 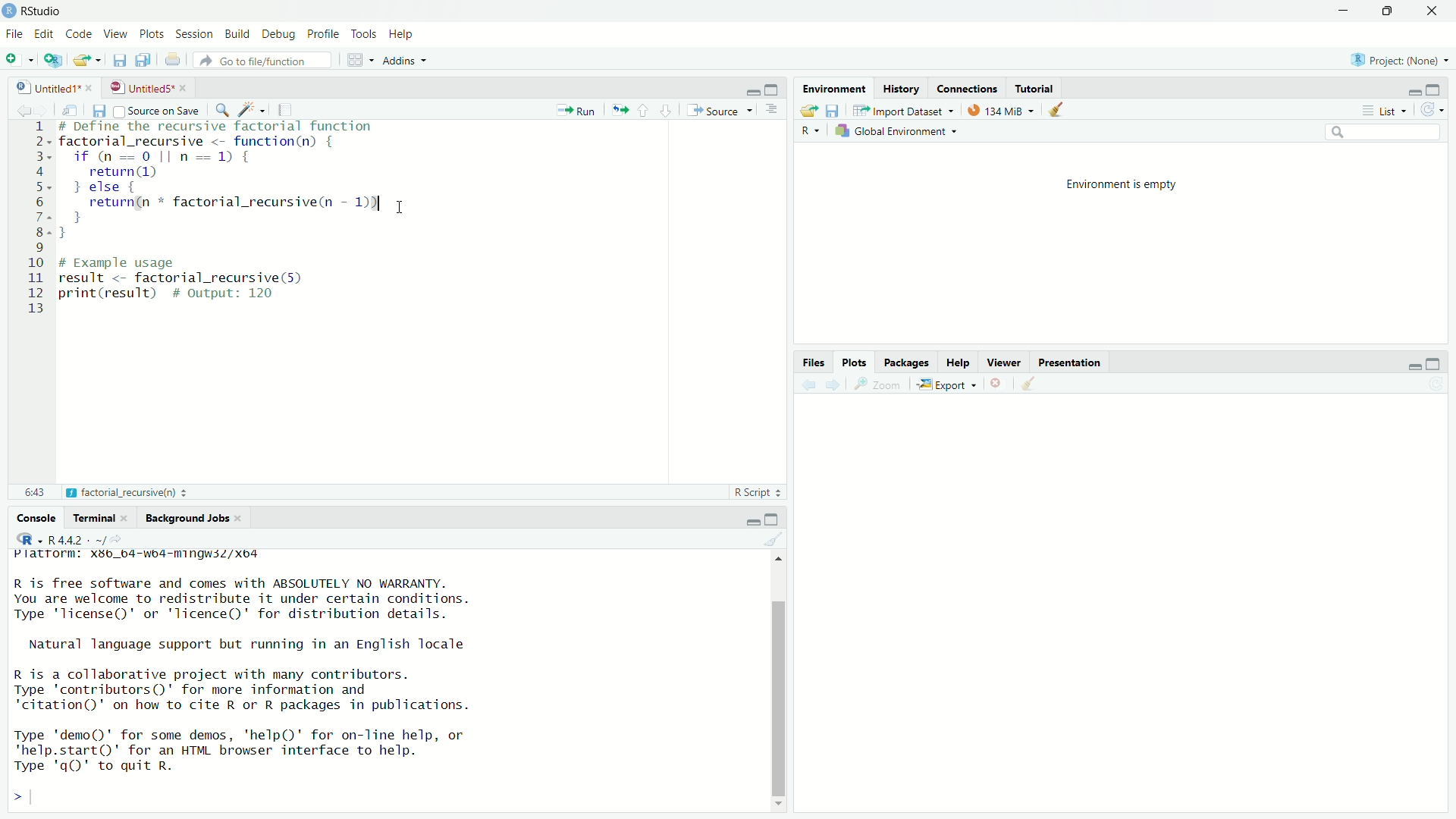 What do you see at coordinates (118, 538) in the screenshot?
I see `View the current working directory` at bounding box center [118, 538].